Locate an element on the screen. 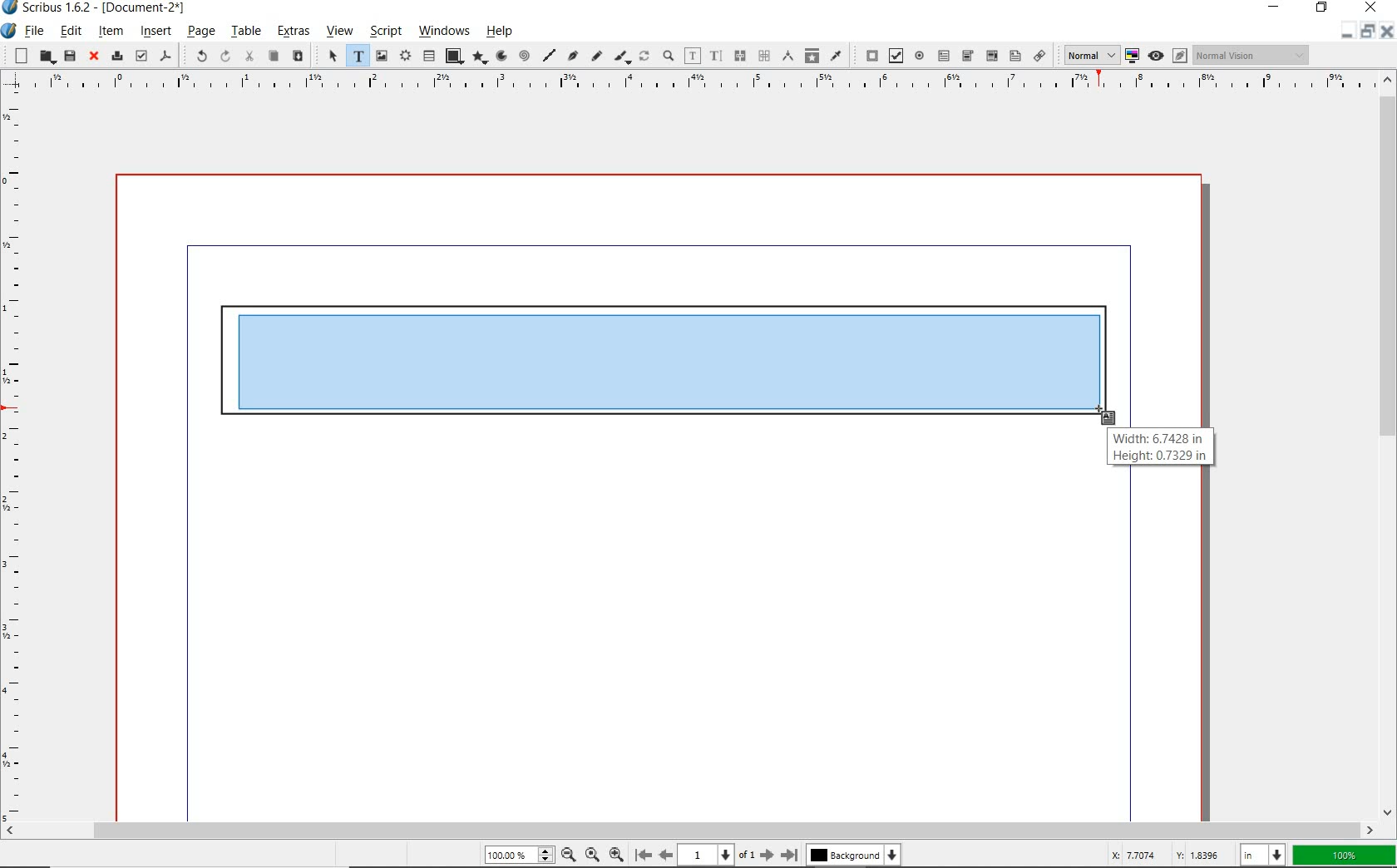 Image resolution: width=1397 pixels, height=868 pixels. measurements is located at coordinates (786, 57).